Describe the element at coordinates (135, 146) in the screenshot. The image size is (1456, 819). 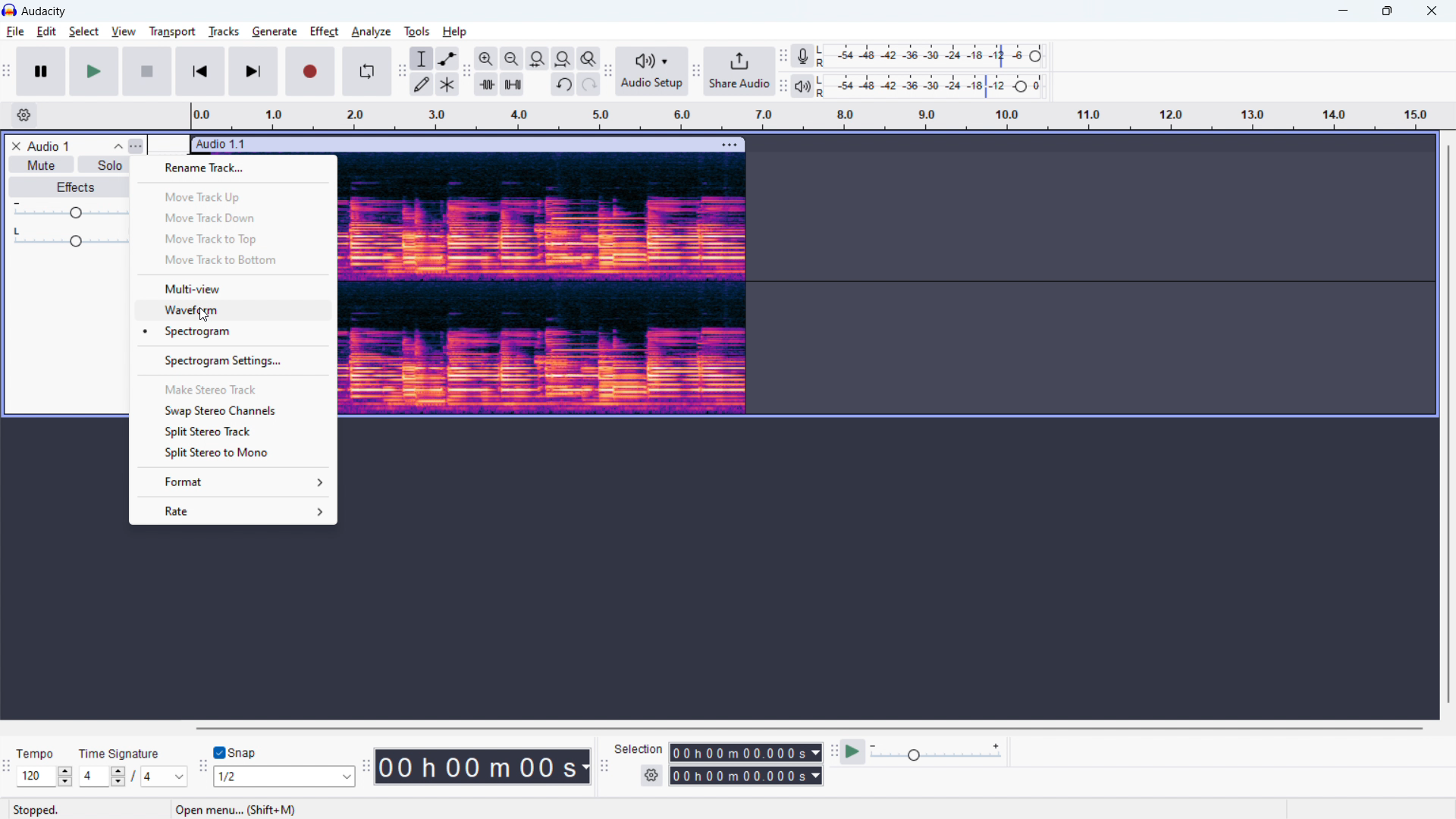
I see `track control panel menu` at that location.